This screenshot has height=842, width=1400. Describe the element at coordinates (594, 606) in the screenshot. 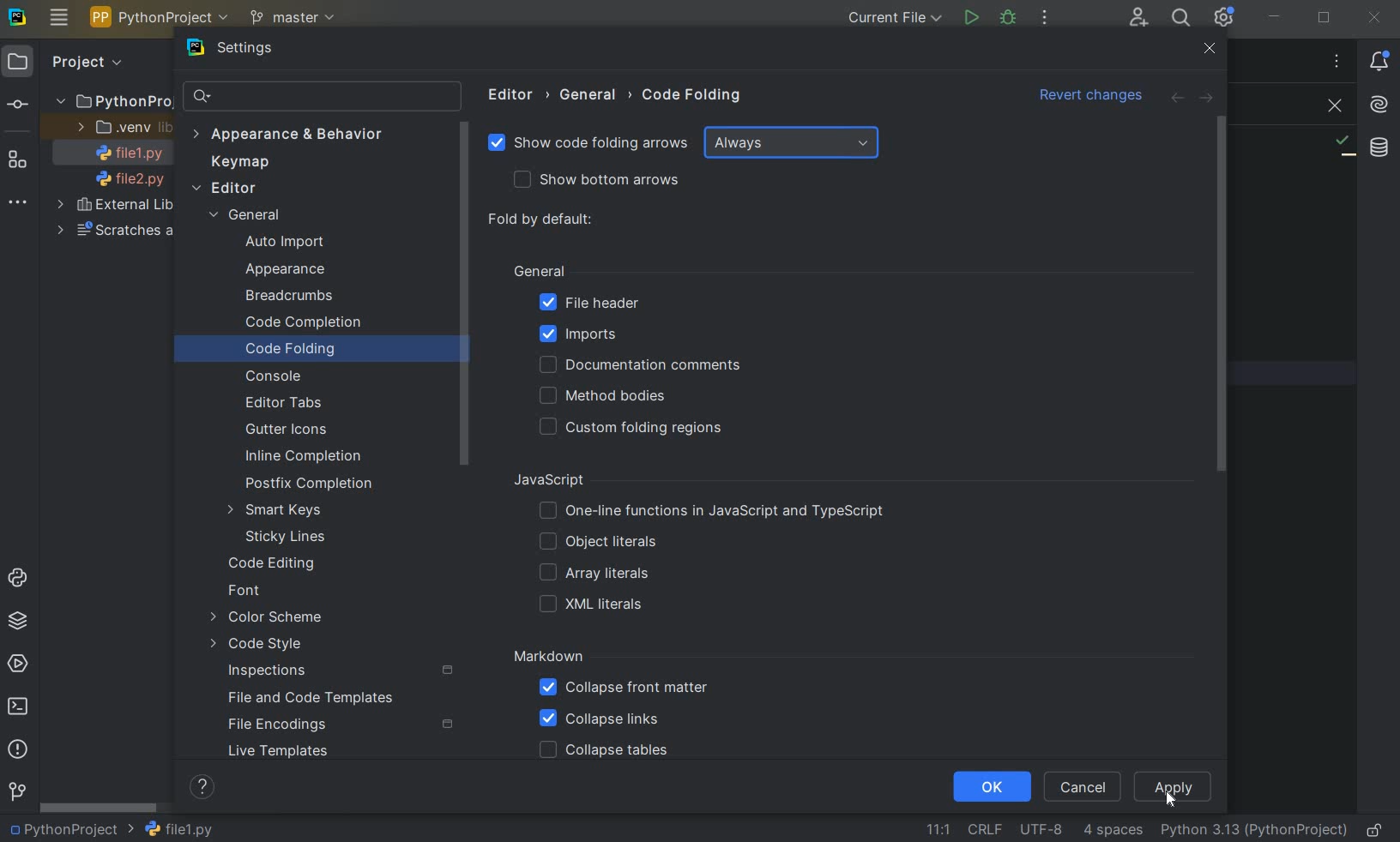

I see `XML LITERALS` at that location.